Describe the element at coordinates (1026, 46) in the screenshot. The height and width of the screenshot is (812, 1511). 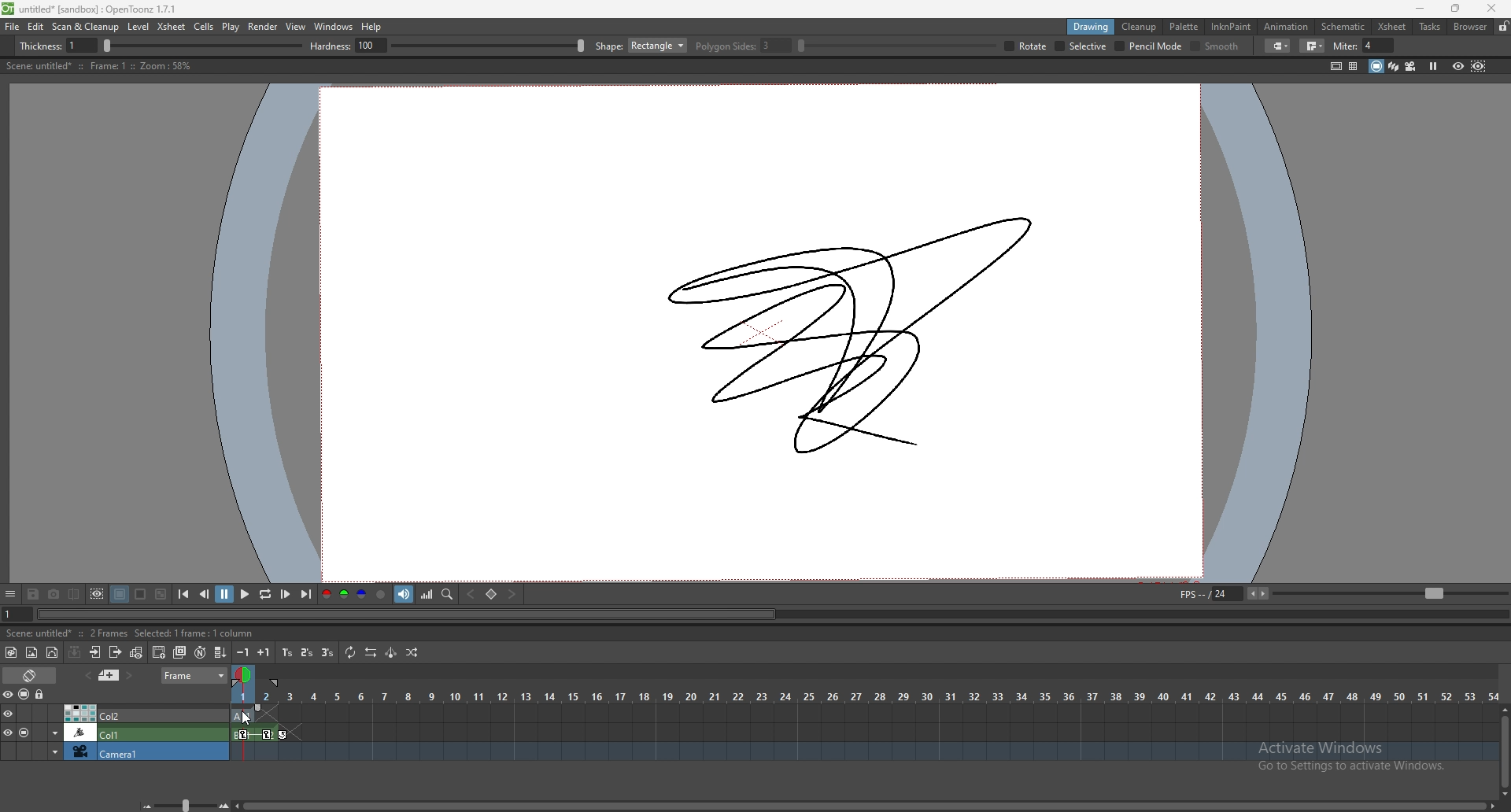
I see `rotate` at that location.